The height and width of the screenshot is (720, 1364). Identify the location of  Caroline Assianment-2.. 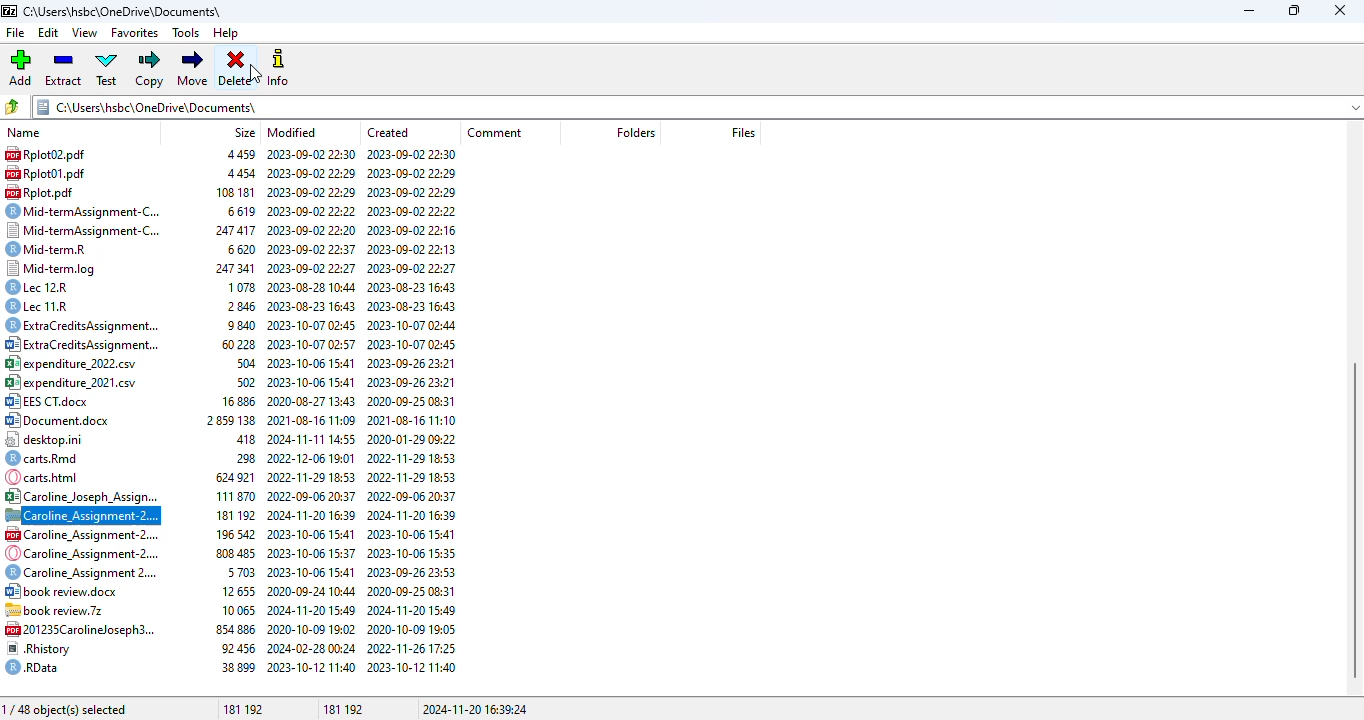
(80, 552).